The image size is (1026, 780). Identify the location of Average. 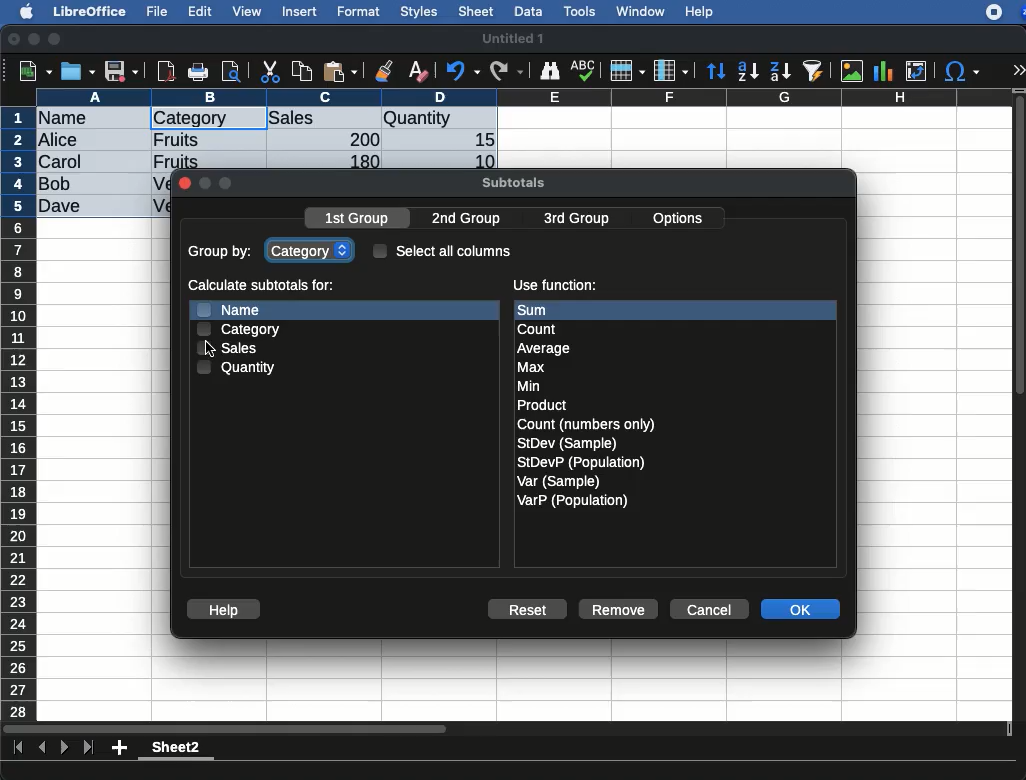
(545, 348).